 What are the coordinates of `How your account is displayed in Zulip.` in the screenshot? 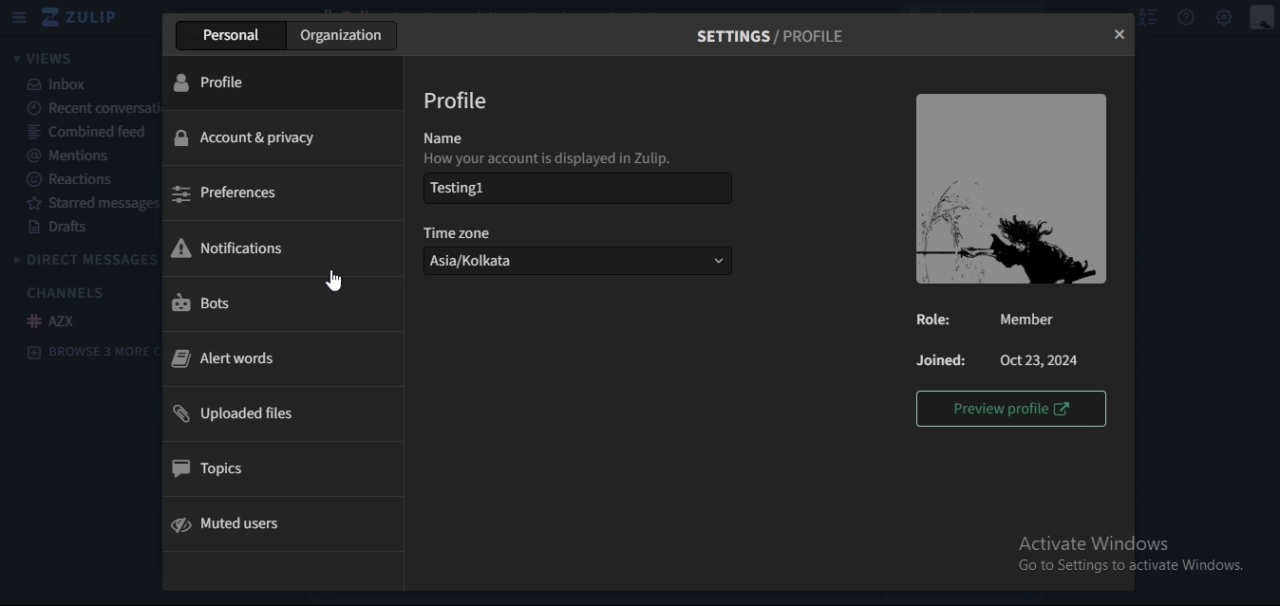 It's located at (556, 159).